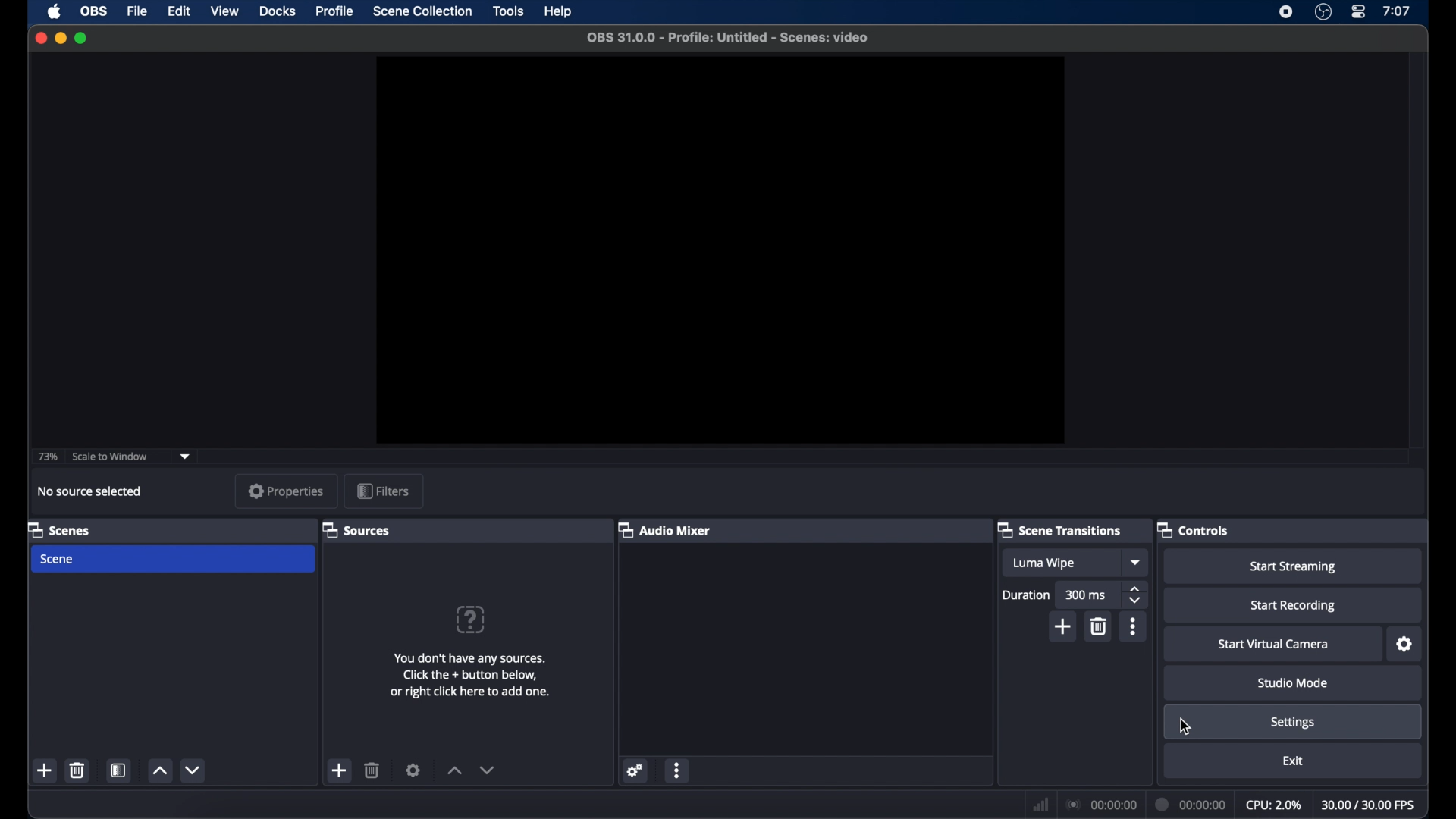  What do you see at coordinates (77, 770) in the screenshot?
I see `delete` at bounding box center [77, 770].